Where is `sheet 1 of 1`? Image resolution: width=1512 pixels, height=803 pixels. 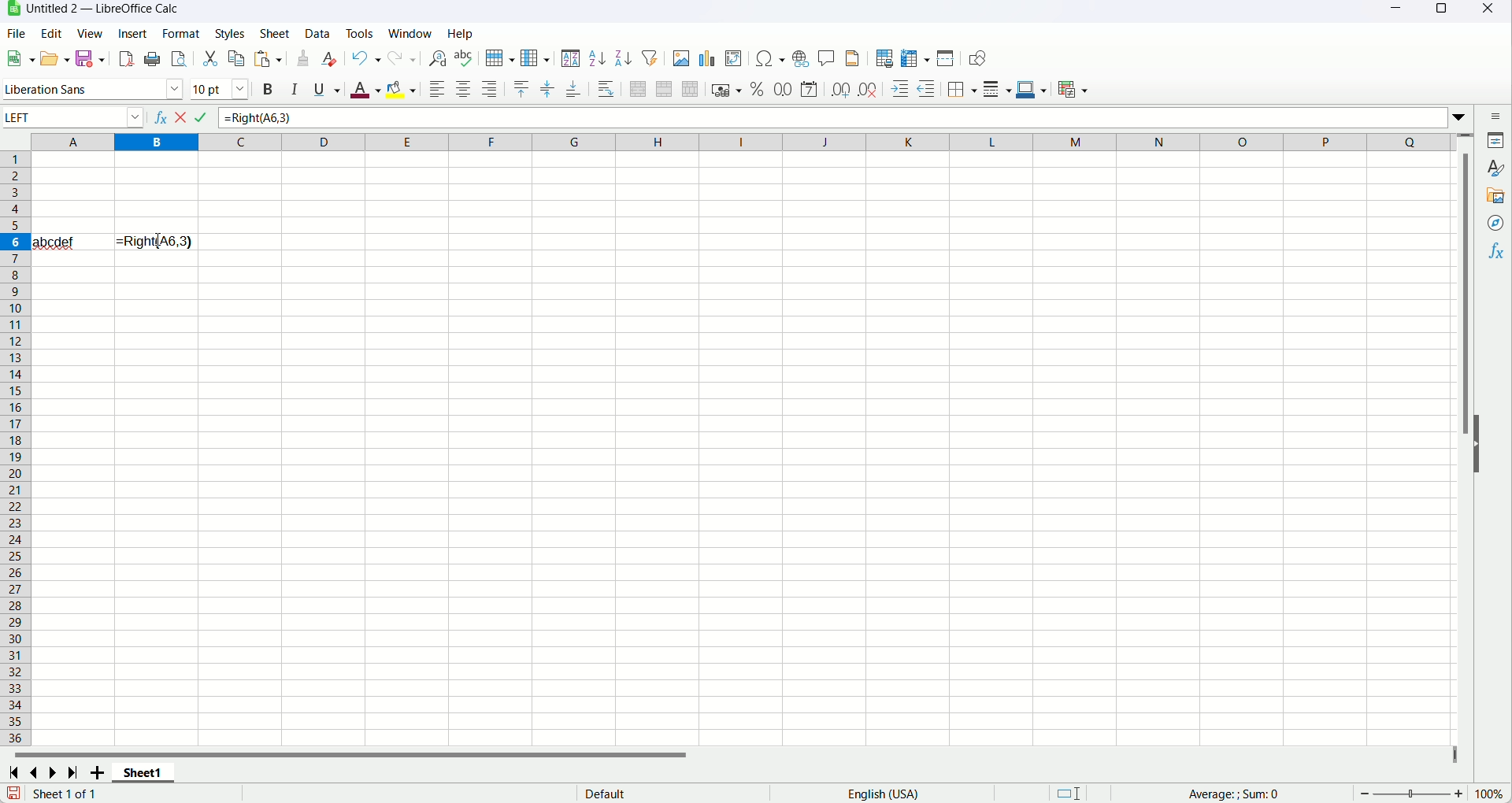 sheet 1 of 1 is located at coordinates (65, 793).